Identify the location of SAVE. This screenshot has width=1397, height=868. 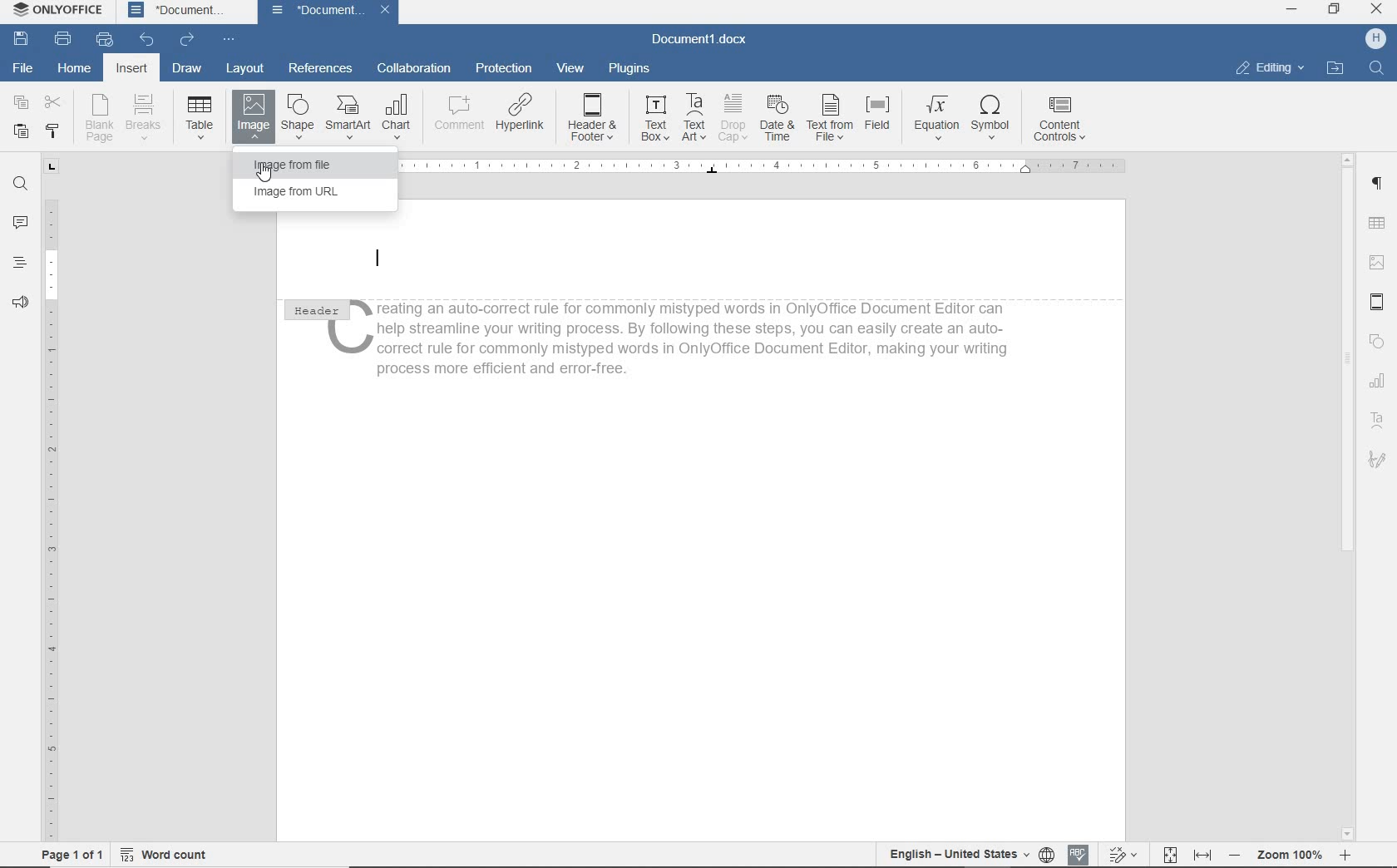
(23, 38).